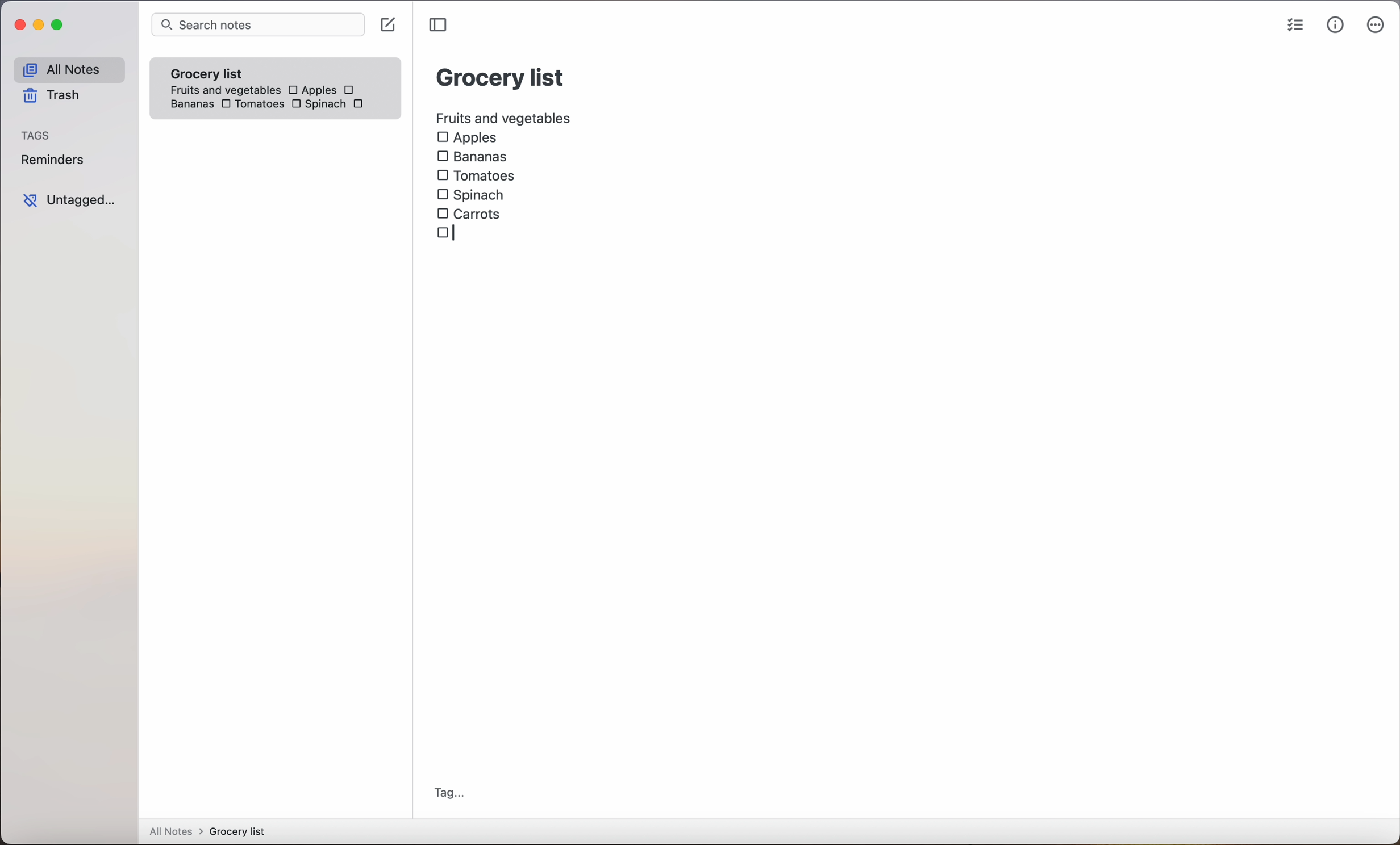 Image resolution: width=1400 pixels, height=845 pixels. What do you see at coordinates (60, 26) in the screenshot?
I see `maximize Simplenote` at bounding box center [60, 26].